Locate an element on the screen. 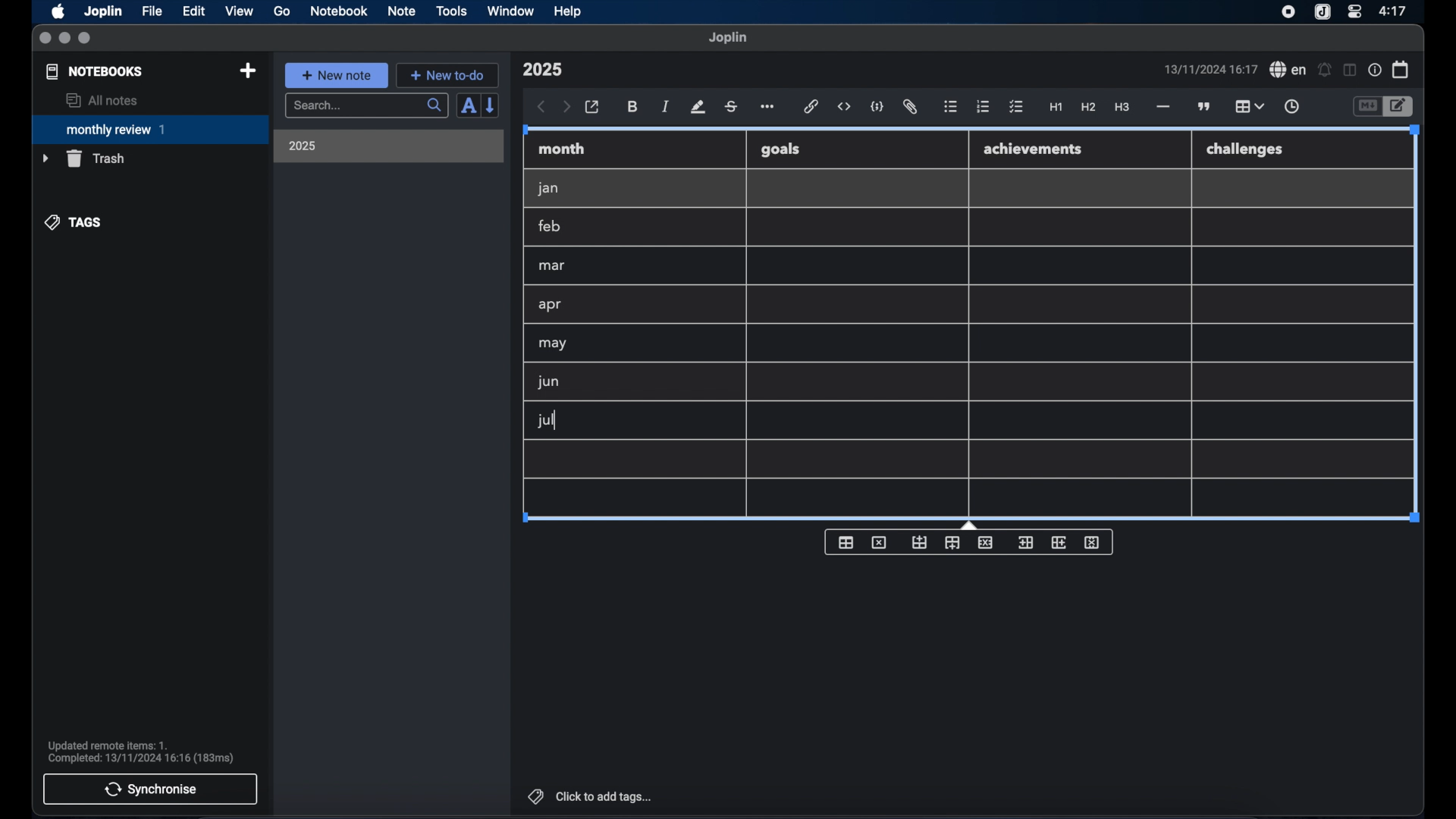 The height and width of the screenshot is (819, 1456). inline code is located at coordinates (844, 107).